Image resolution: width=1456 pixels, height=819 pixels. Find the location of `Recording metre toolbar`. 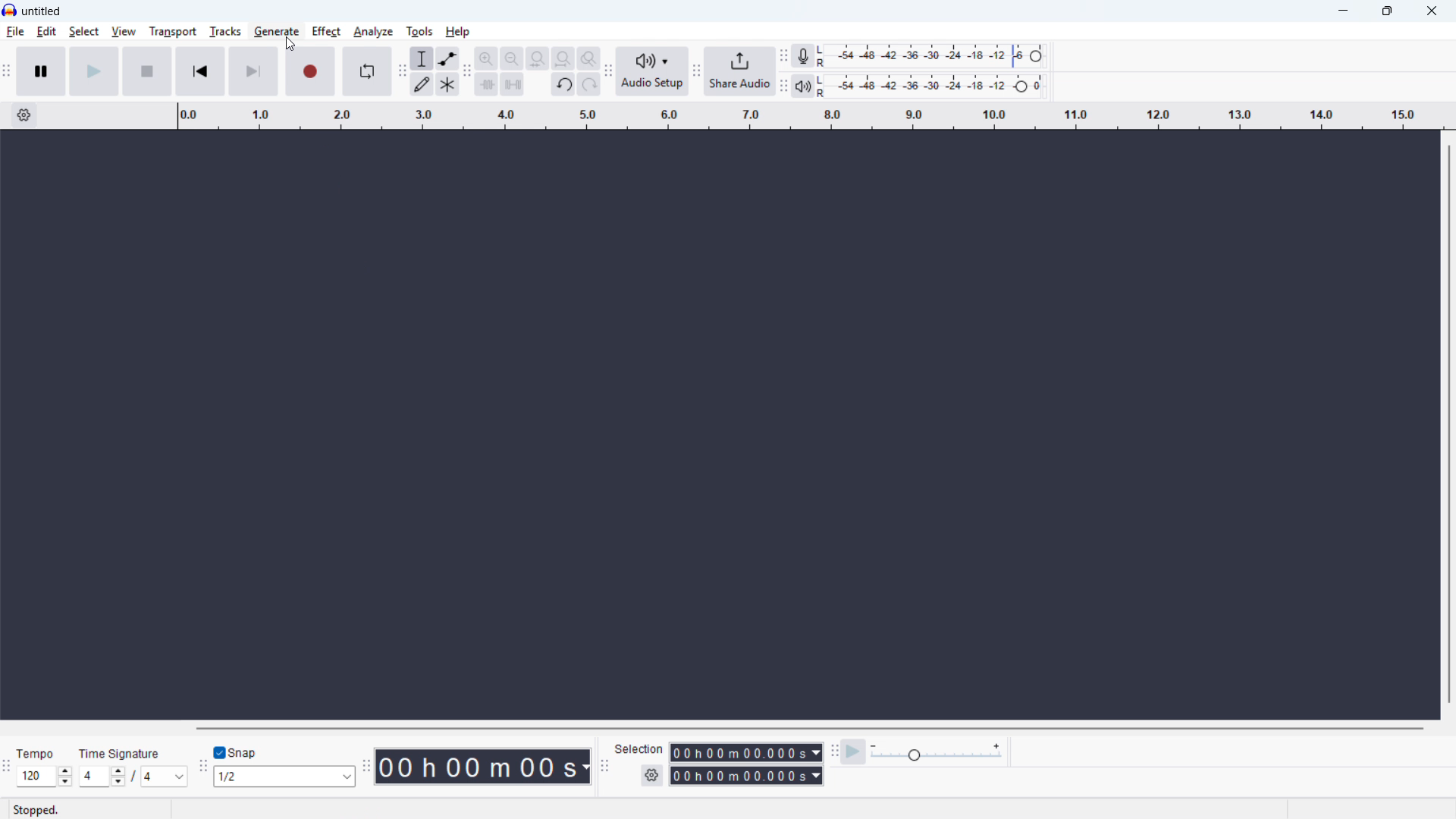

Recording metre toolbar is located at coordinates (783, 55).